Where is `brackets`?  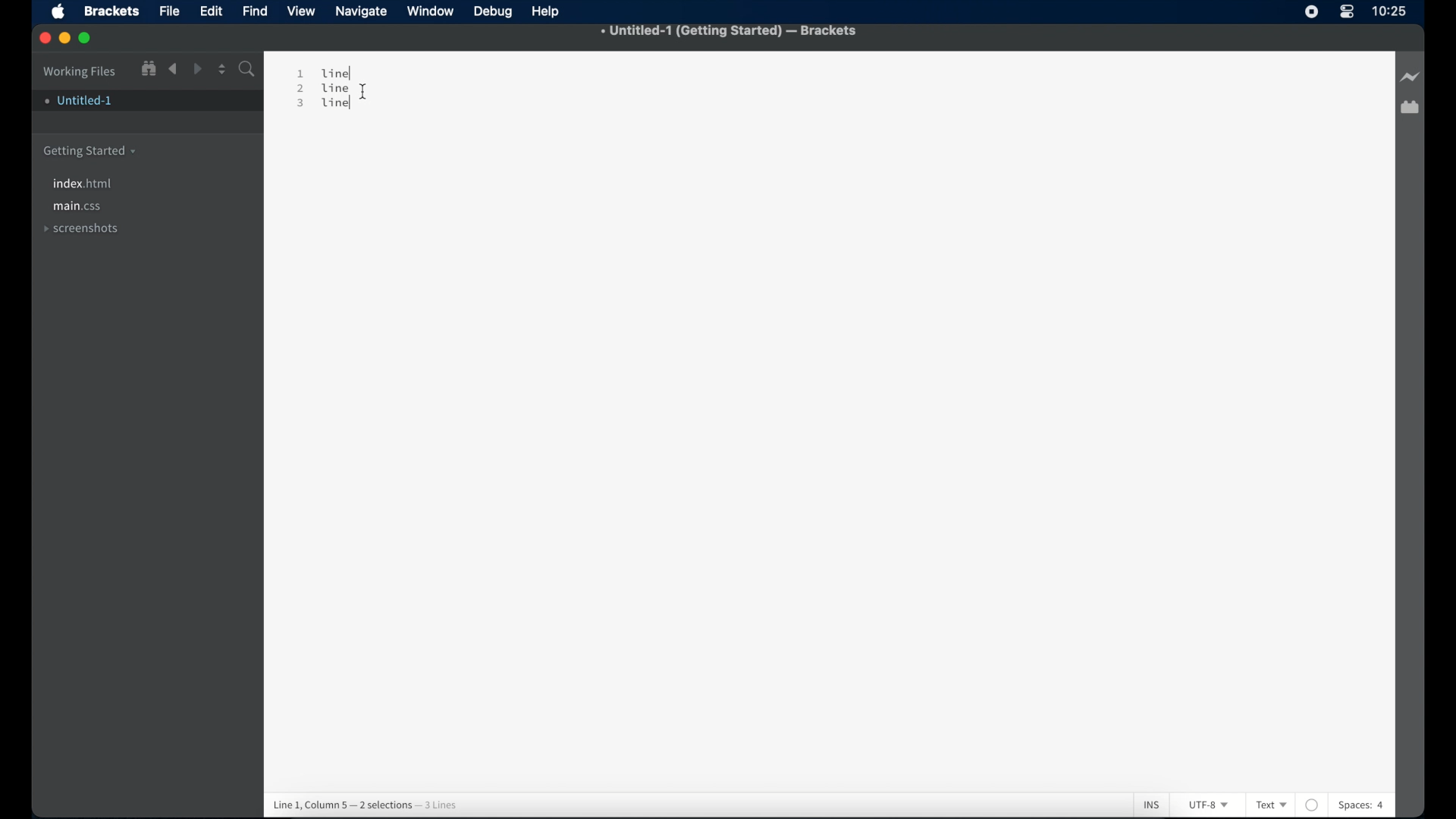 brackets is located at coordinates (113, 11).